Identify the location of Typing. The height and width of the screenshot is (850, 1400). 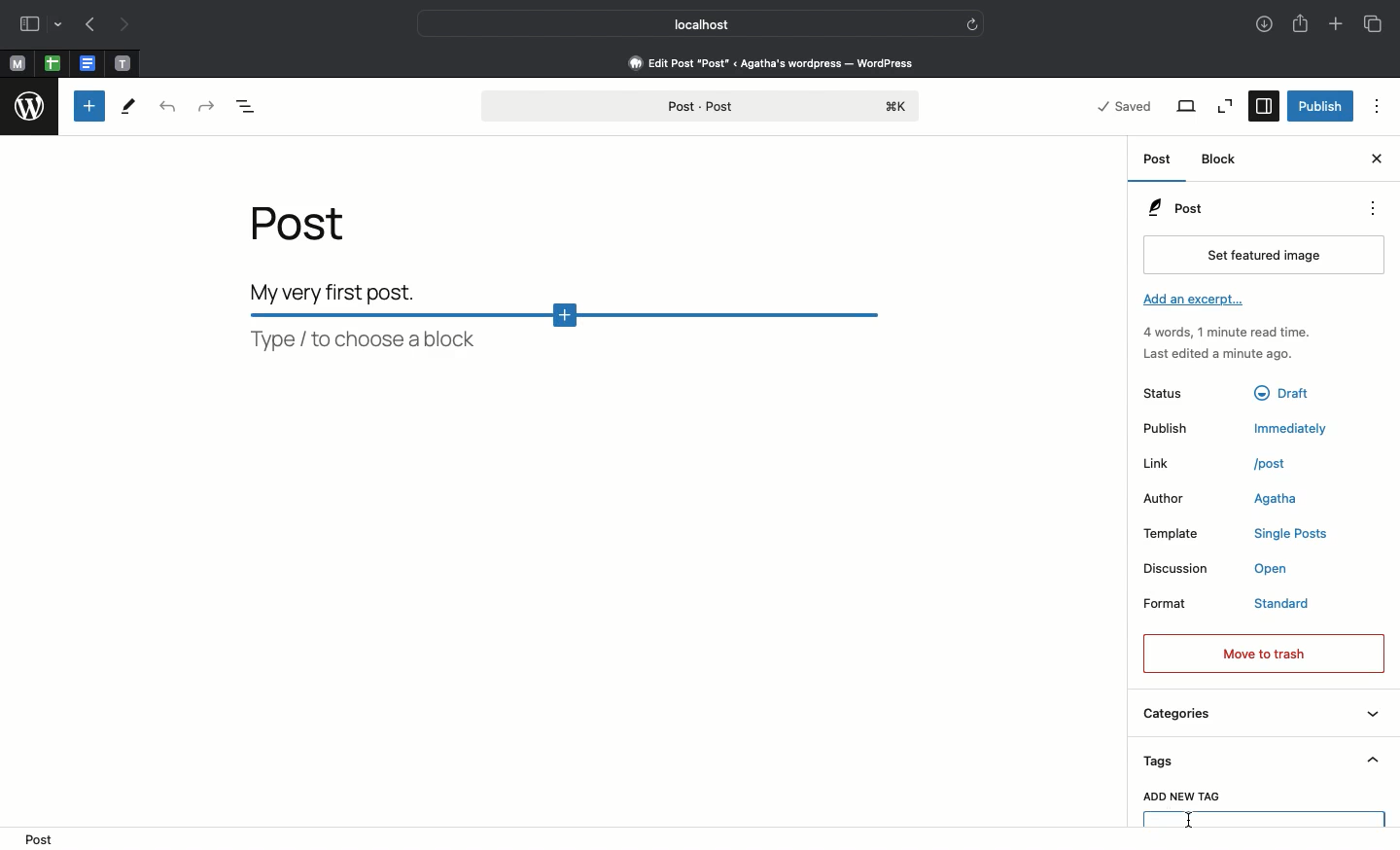
(1265, 819).